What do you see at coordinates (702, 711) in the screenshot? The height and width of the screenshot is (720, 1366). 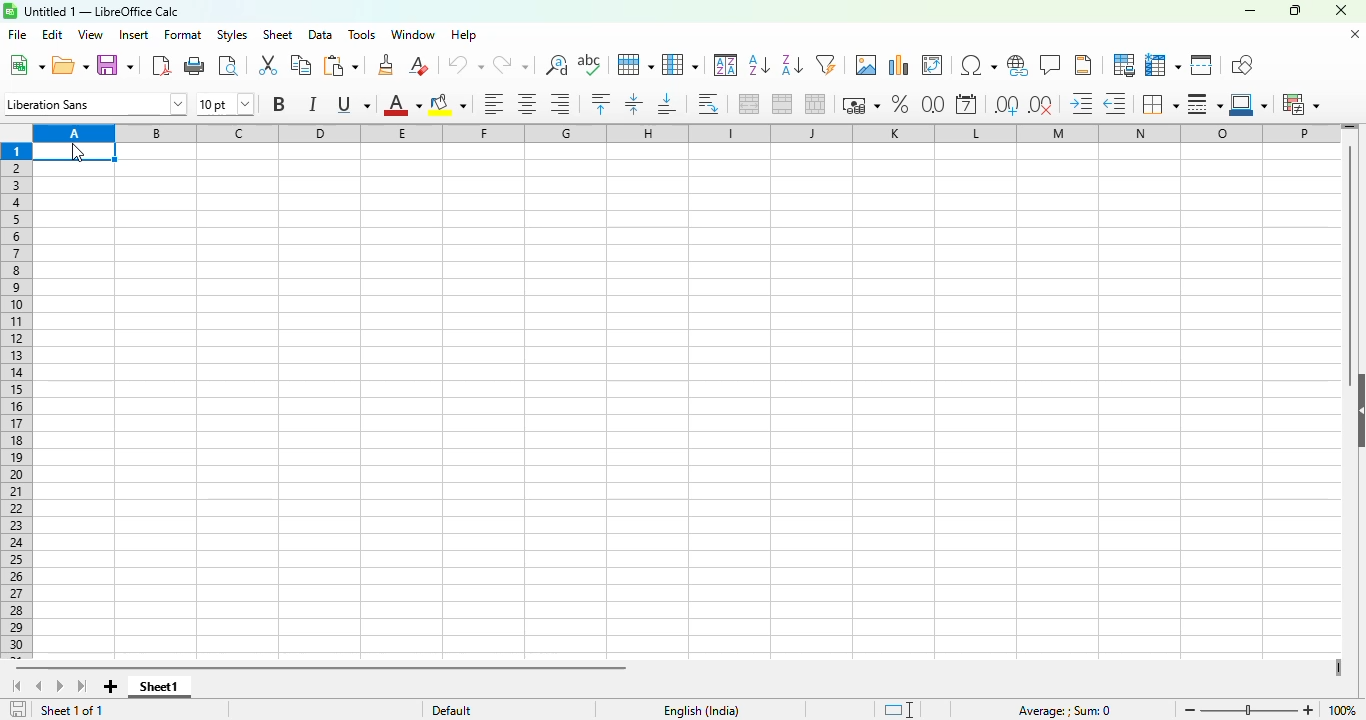 I see `text language` at bounding box center [702, 711].